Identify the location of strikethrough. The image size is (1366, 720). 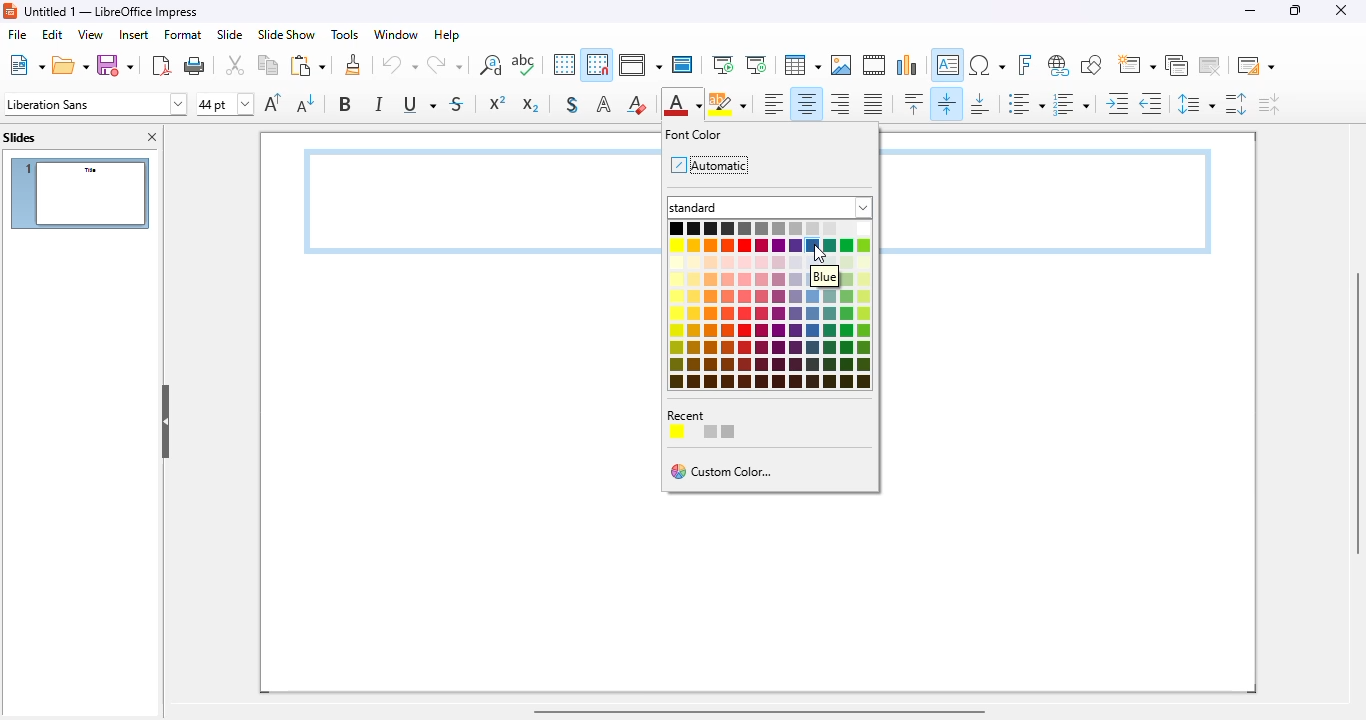
(458, 103).